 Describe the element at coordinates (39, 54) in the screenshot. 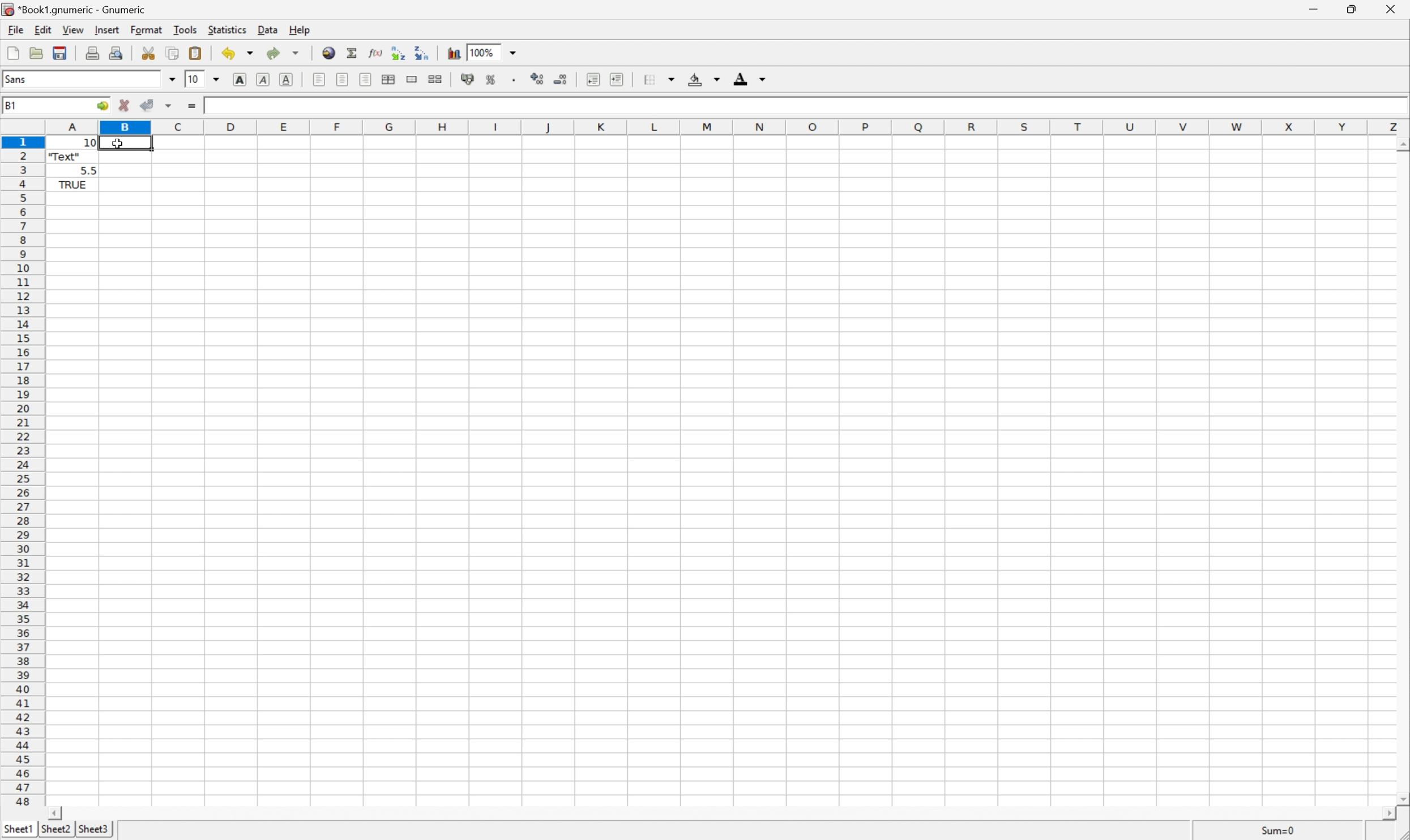

I see `Open a file` at that location.